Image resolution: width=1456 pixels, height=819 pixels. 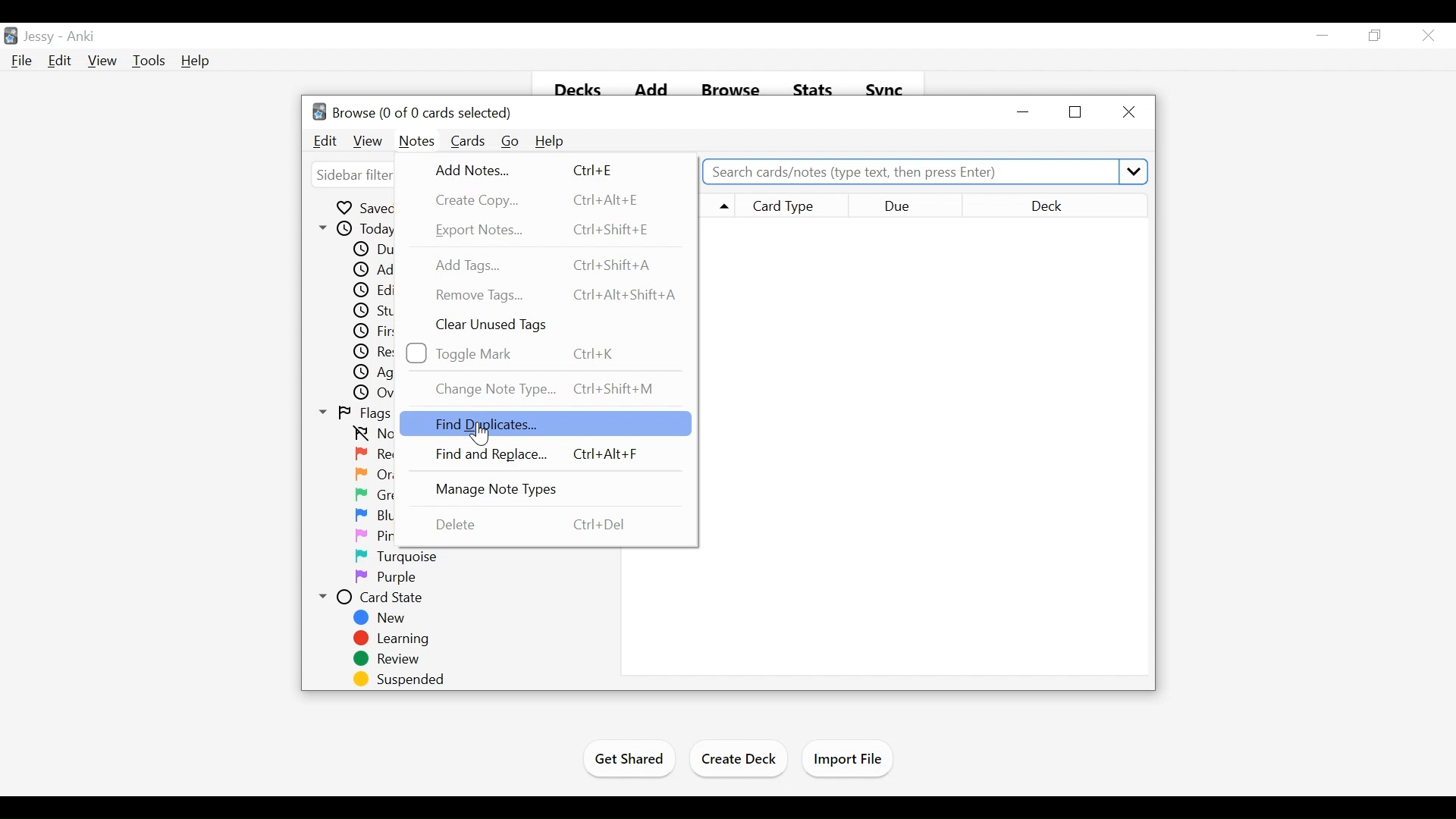 What do you see at coordinates (1055, 204) in the screenshot?
I see `Deck` at bounding box center [1055, 204].